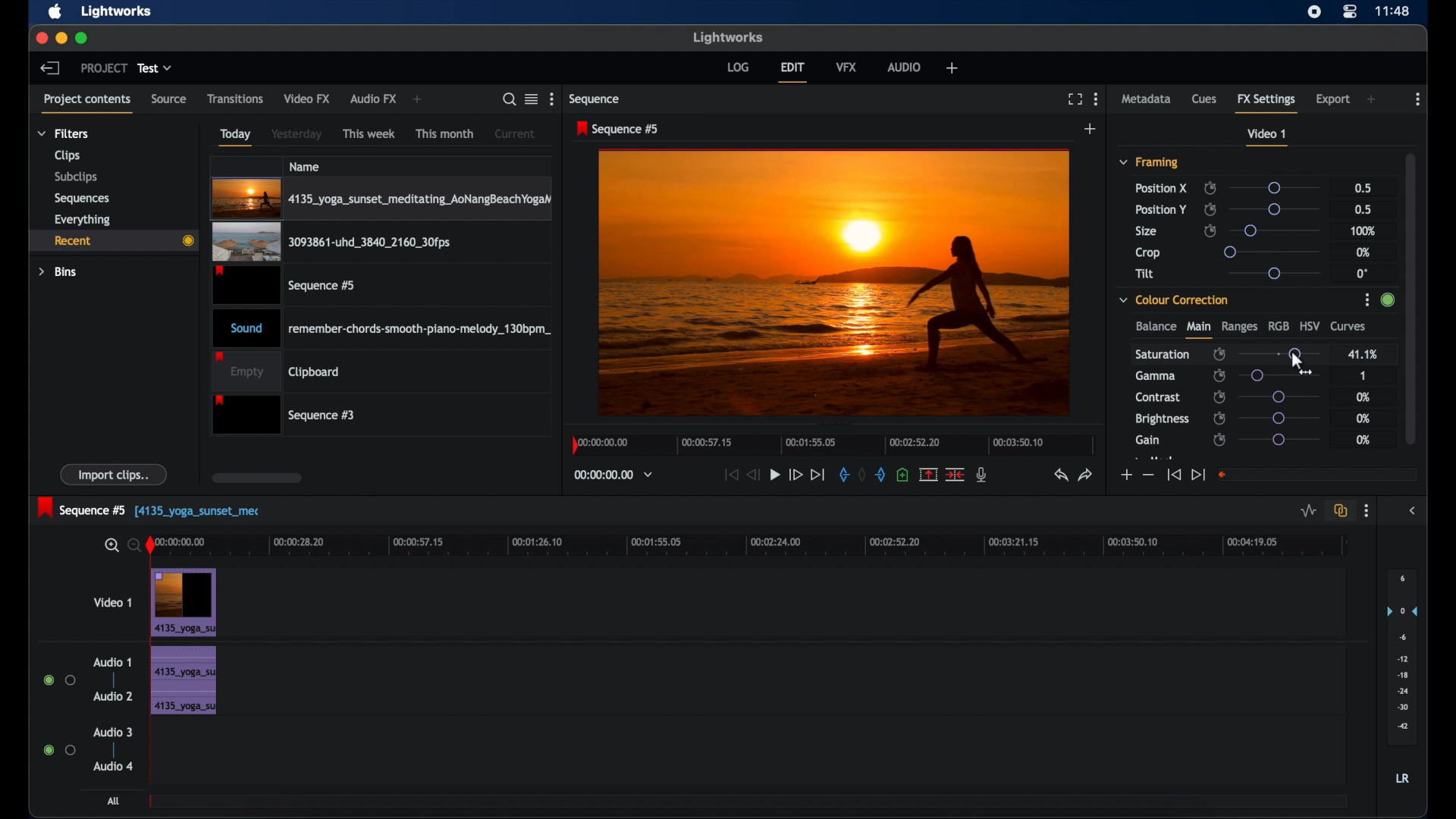  Describe the element at coordinates (1205, 99) in the screenshot. I see `cues` at that location.